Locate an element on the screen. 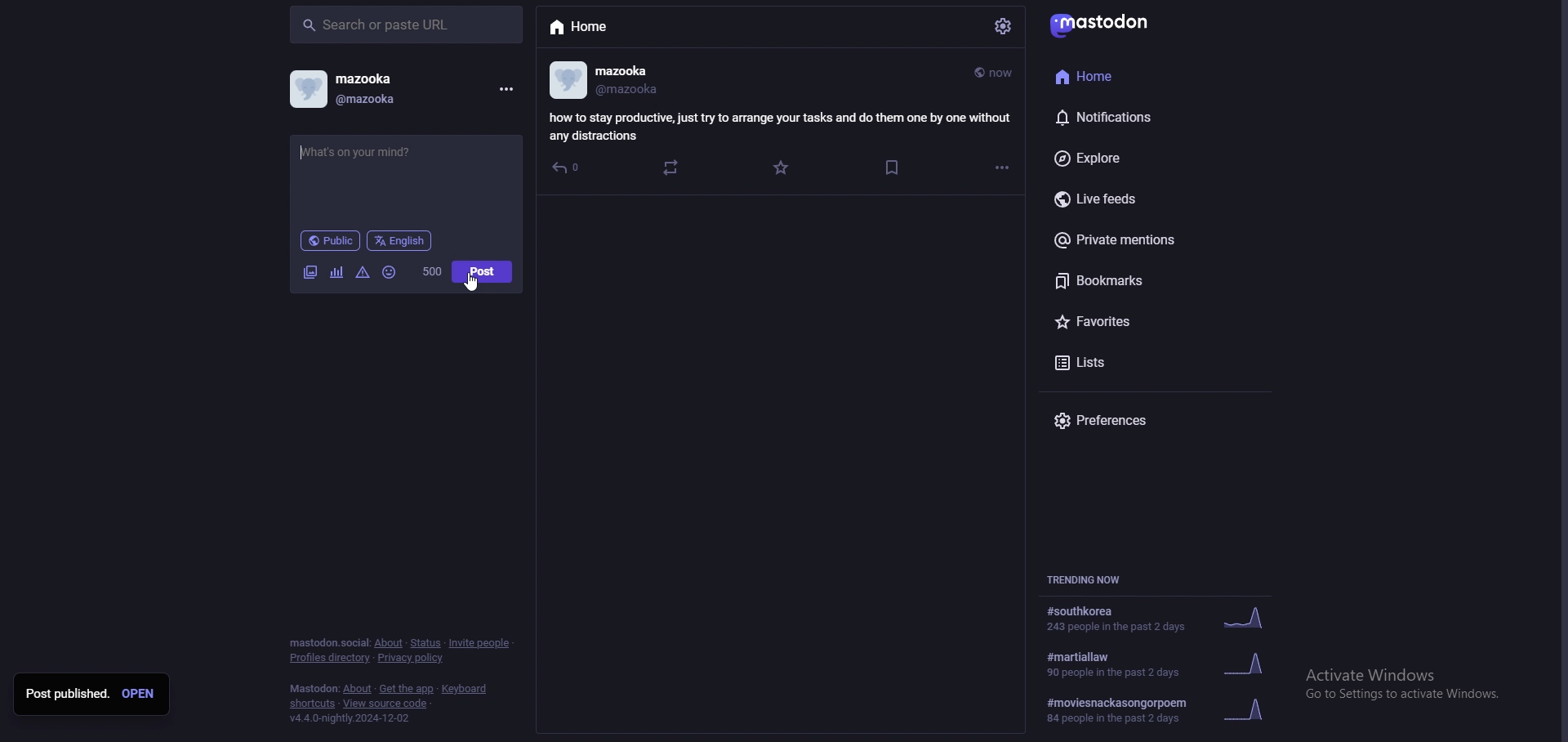 Image resolution: width=1568 pixels, height=742 pixels. mastodon social is located at coordinates (327, 642).